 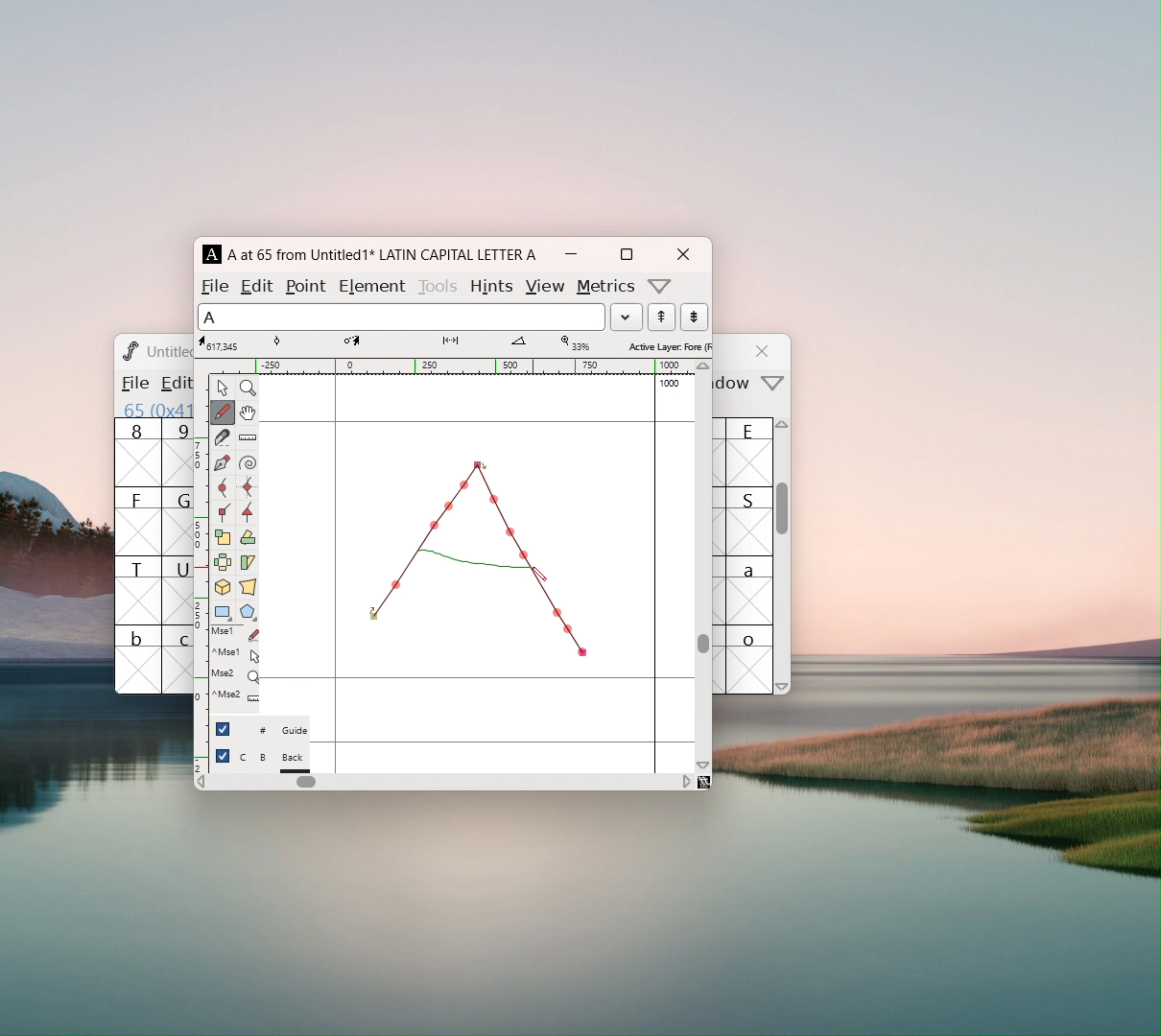 What do you see at coordinates (401, 316) in the screenshot?
I see `selected letter` at bounding box center [401, 316].